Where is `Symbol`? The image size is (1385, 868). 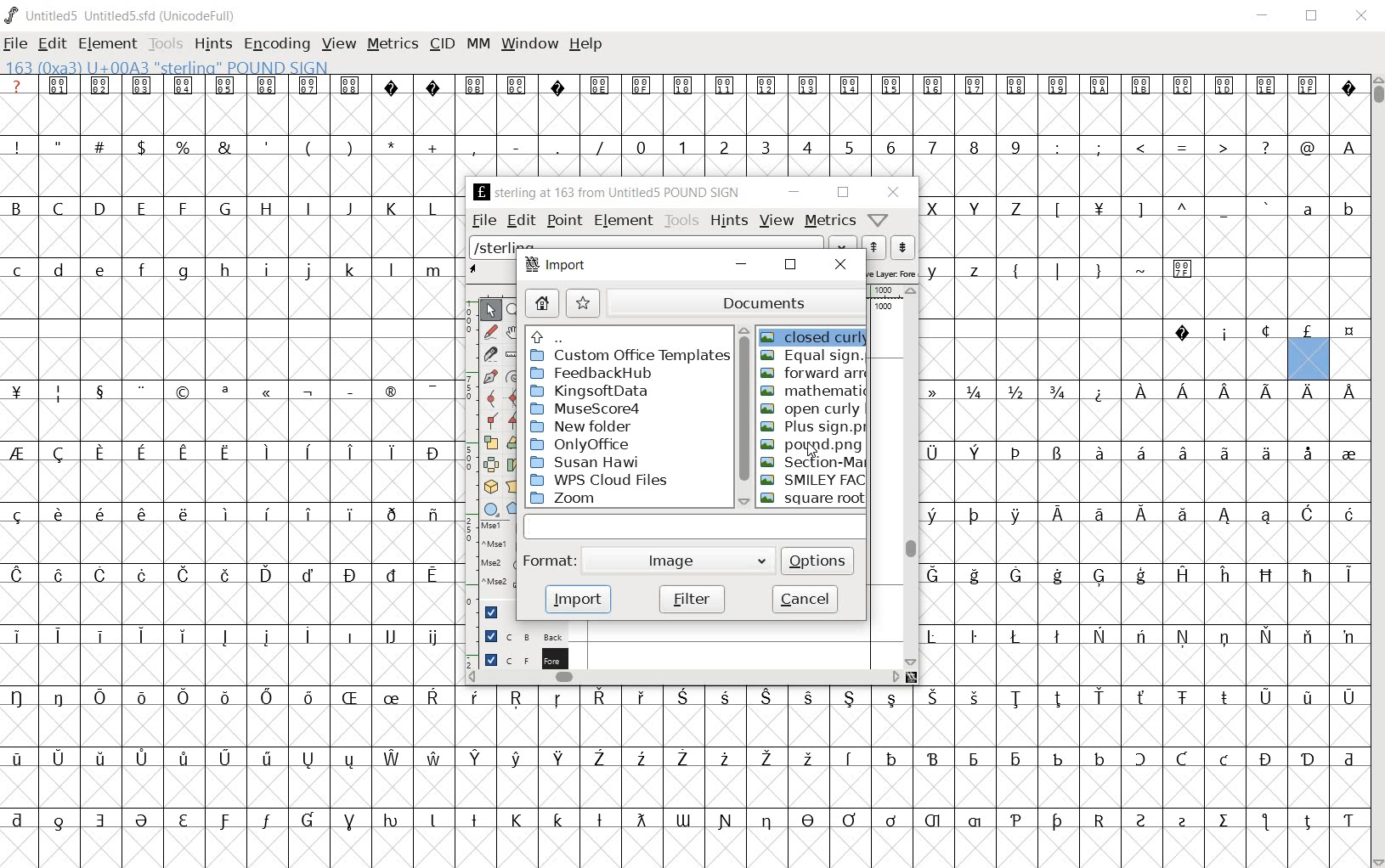 Symbol is located at coordinates (1348, 389).